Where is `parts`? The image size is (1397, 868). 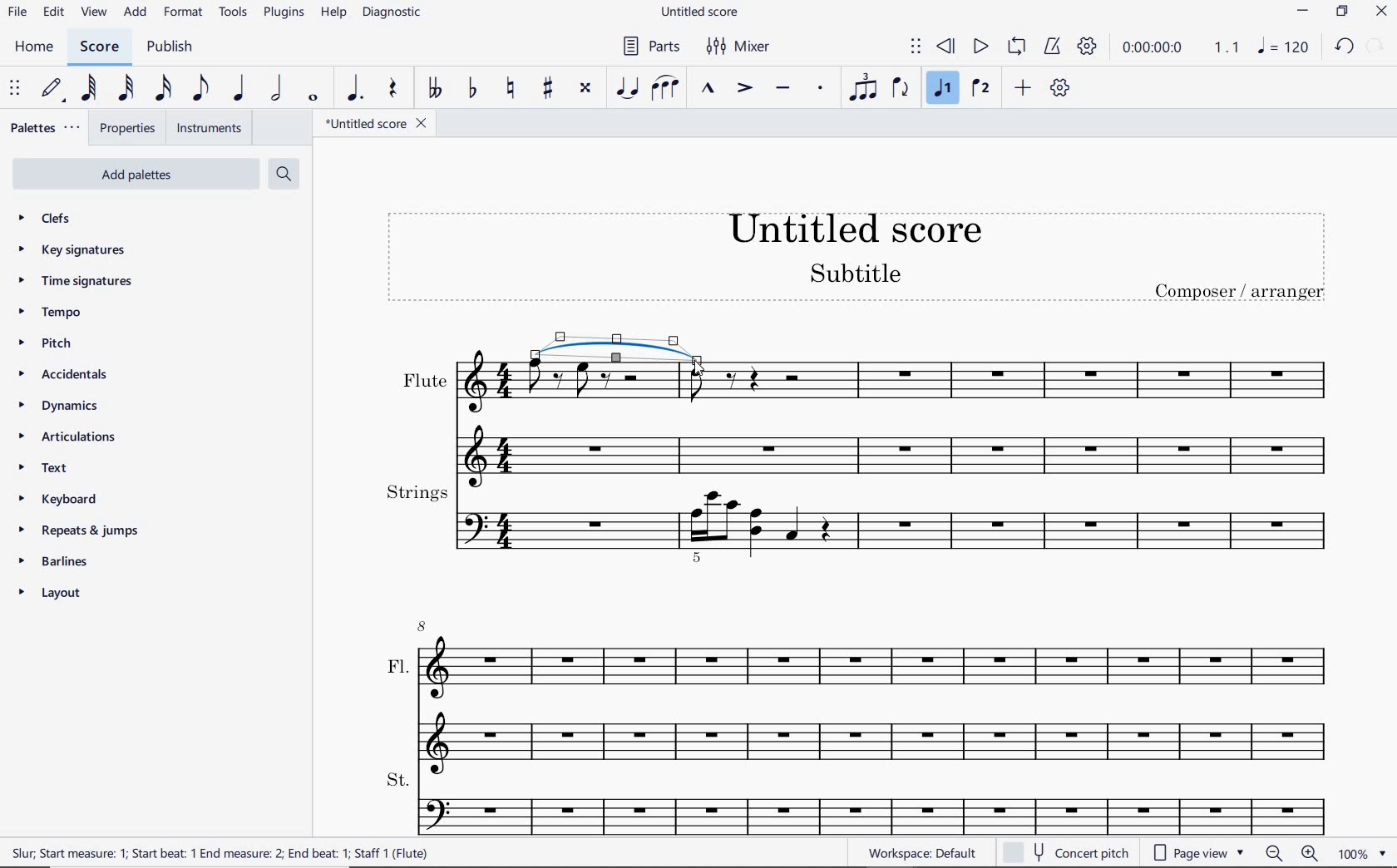
parts is located at coordinates (653, 47).